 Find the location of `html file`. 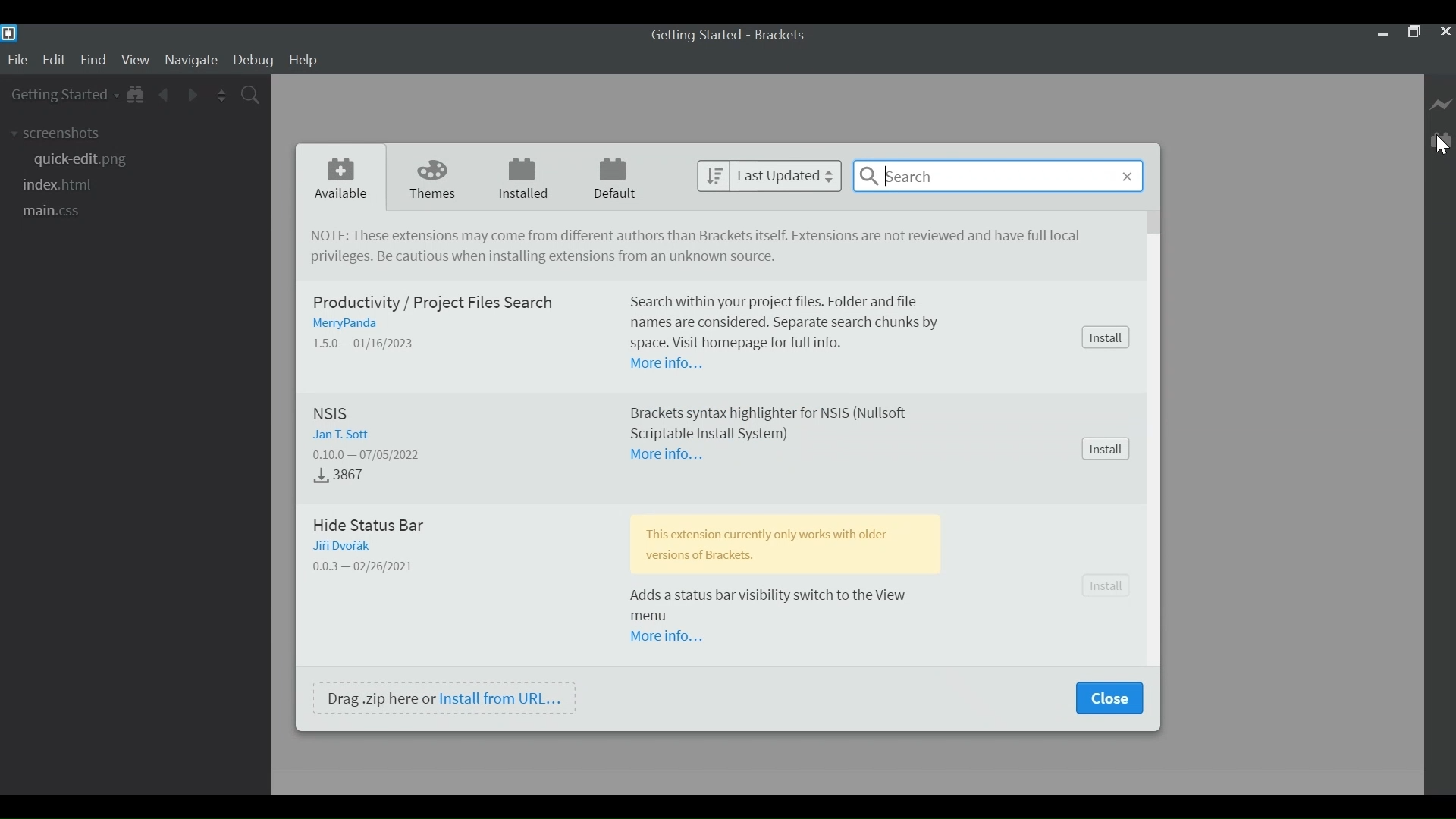

html file is located at coordinates (60, 186).